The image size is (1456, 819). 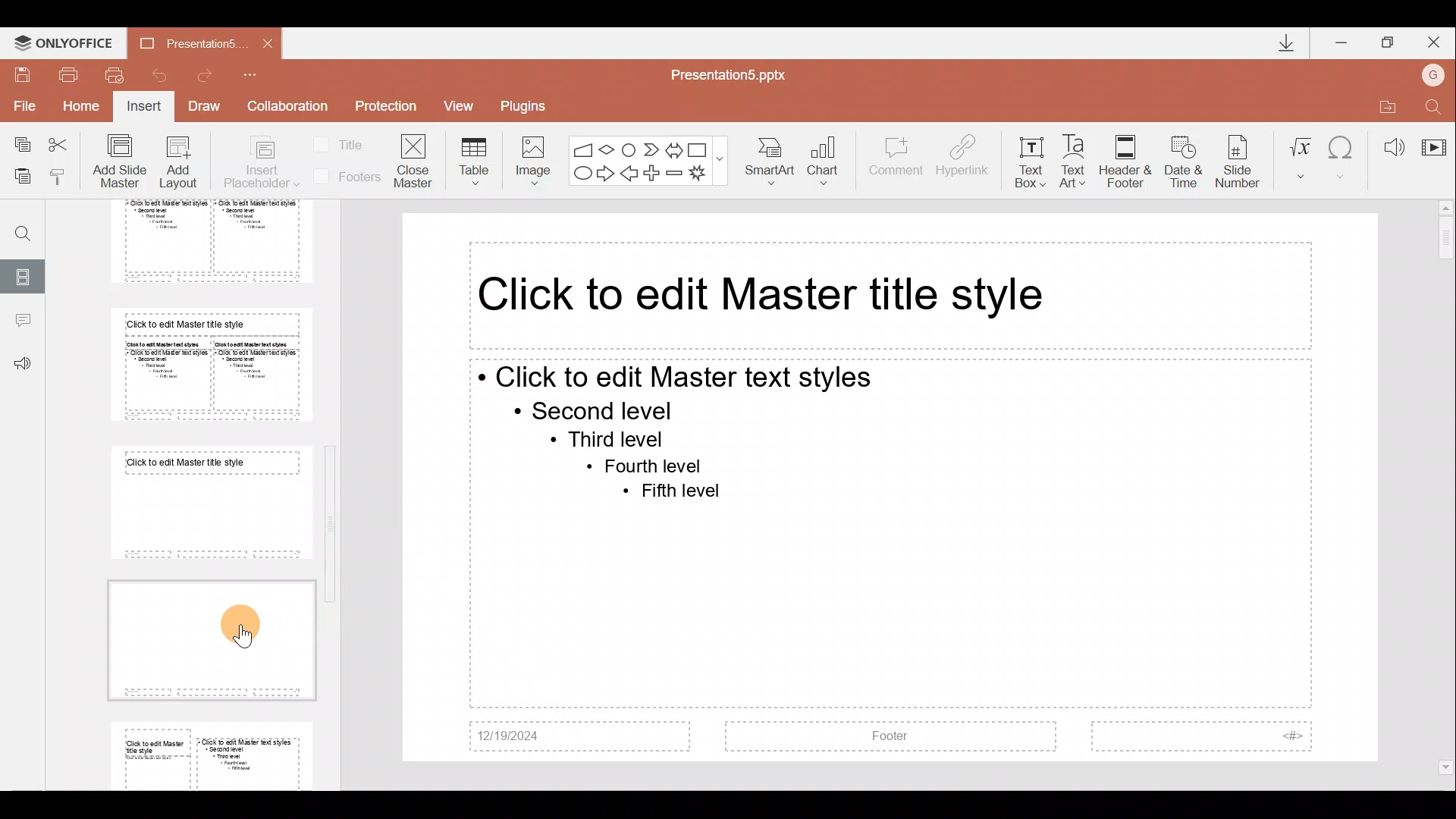 What do you see at coordinates (773, 162) in the screenshot?
I see `SmartArt` at bounding box center [773, 162].